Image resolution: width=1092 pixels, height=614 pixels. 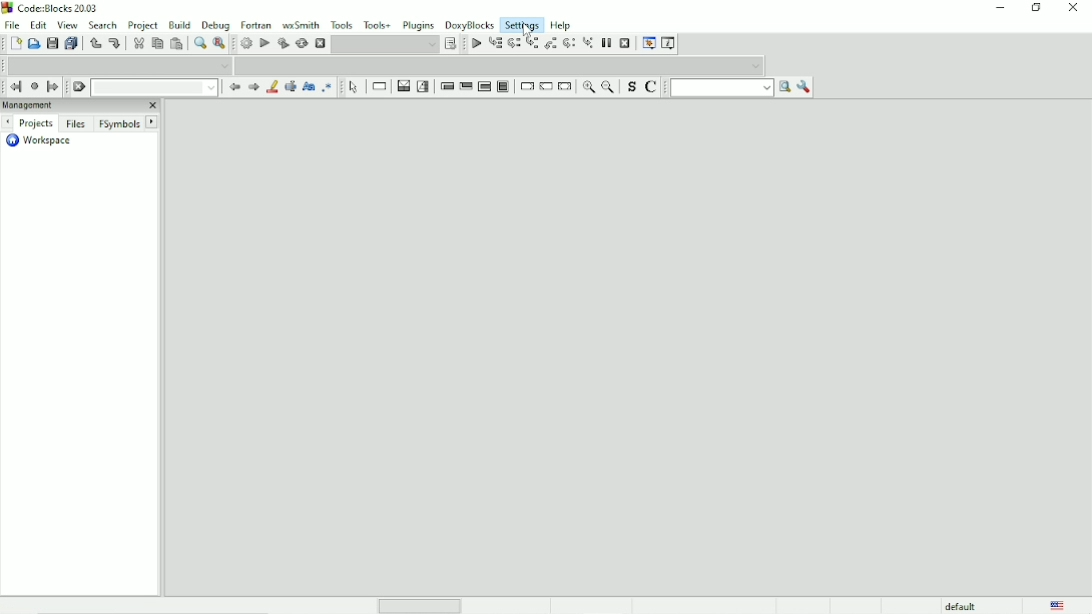 What do you see at coordinates (630, 87) in the screenshot?
I see `Toggle source` at bounding box center [630, 87].